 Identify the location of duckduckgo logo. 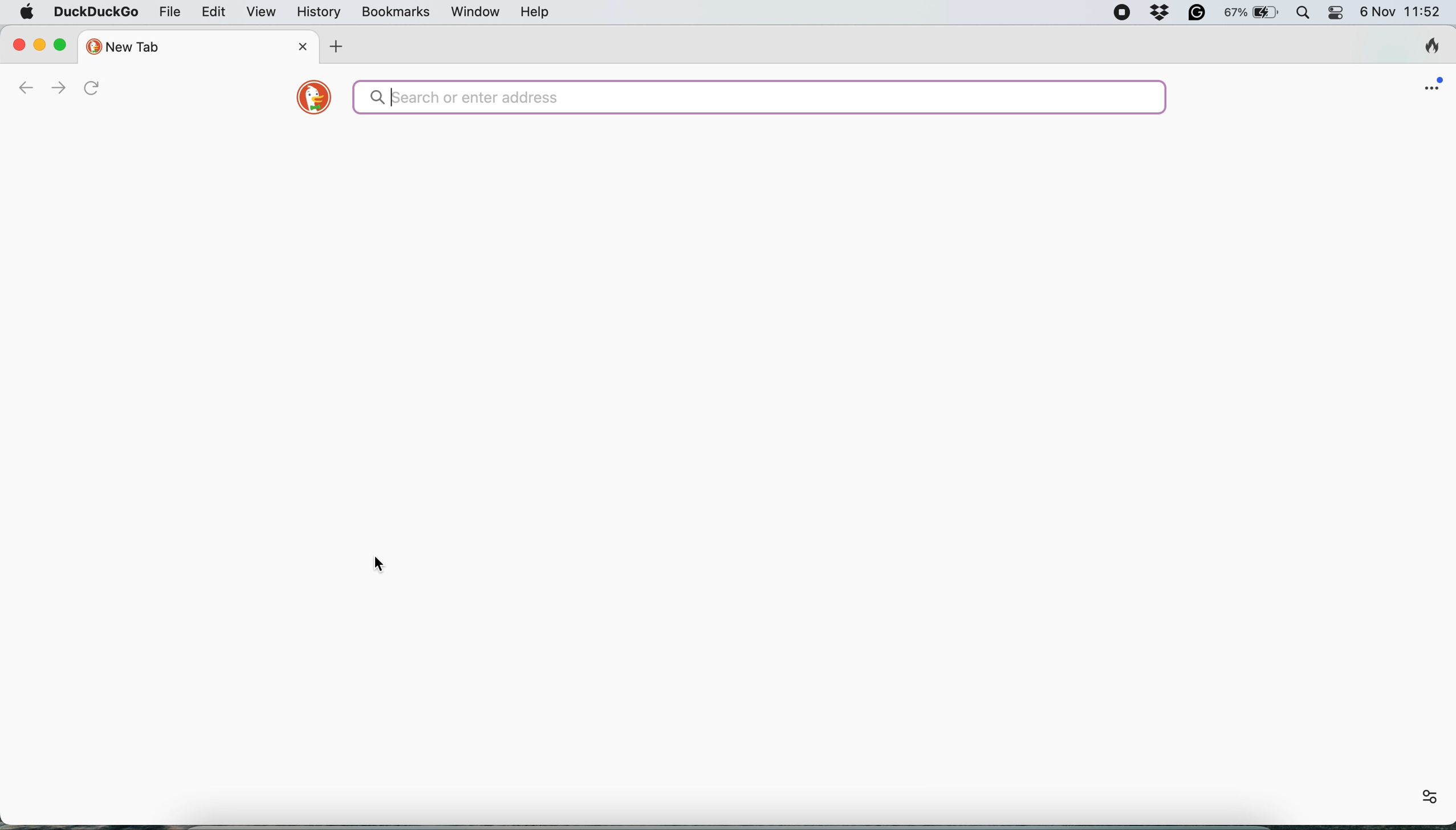
(309, 100).